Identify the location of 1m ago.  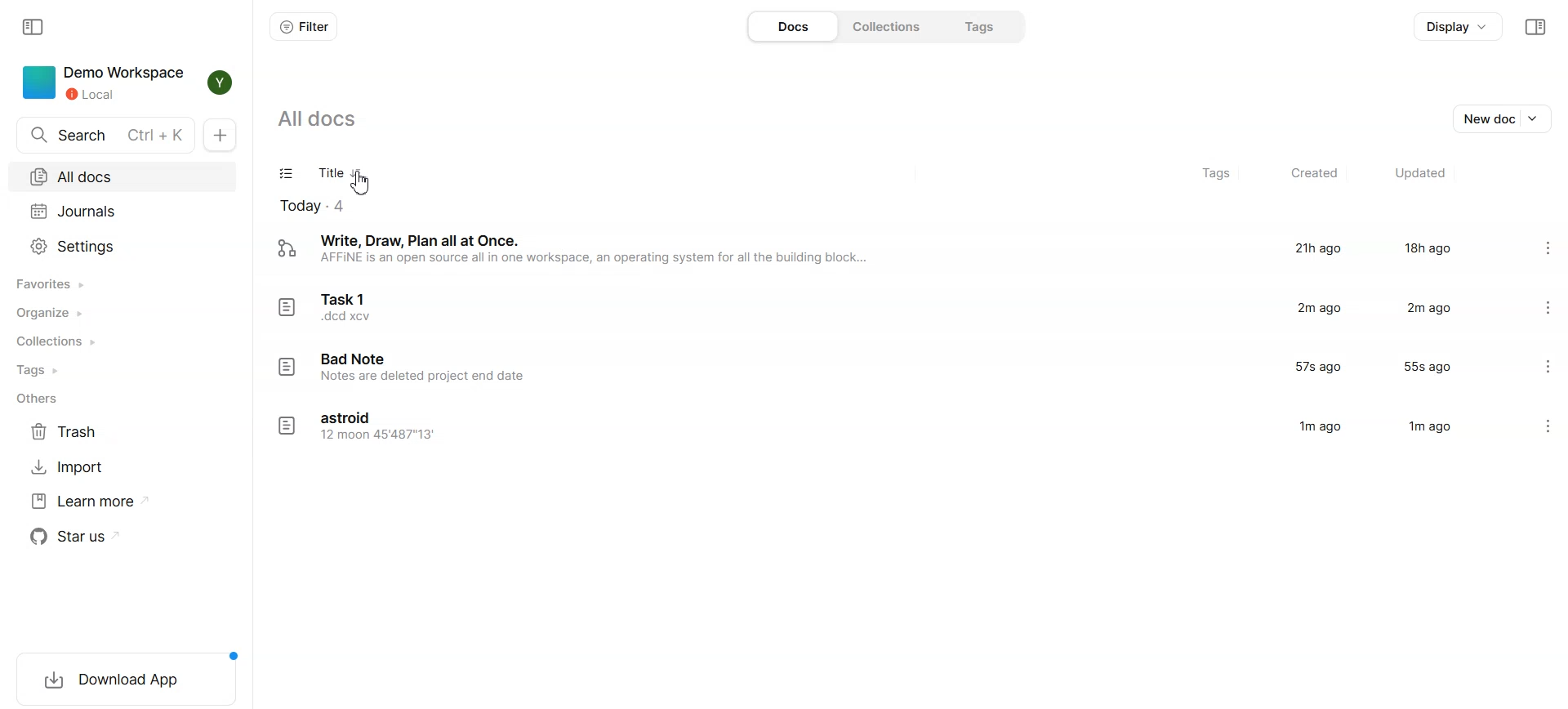
(1321, 426).